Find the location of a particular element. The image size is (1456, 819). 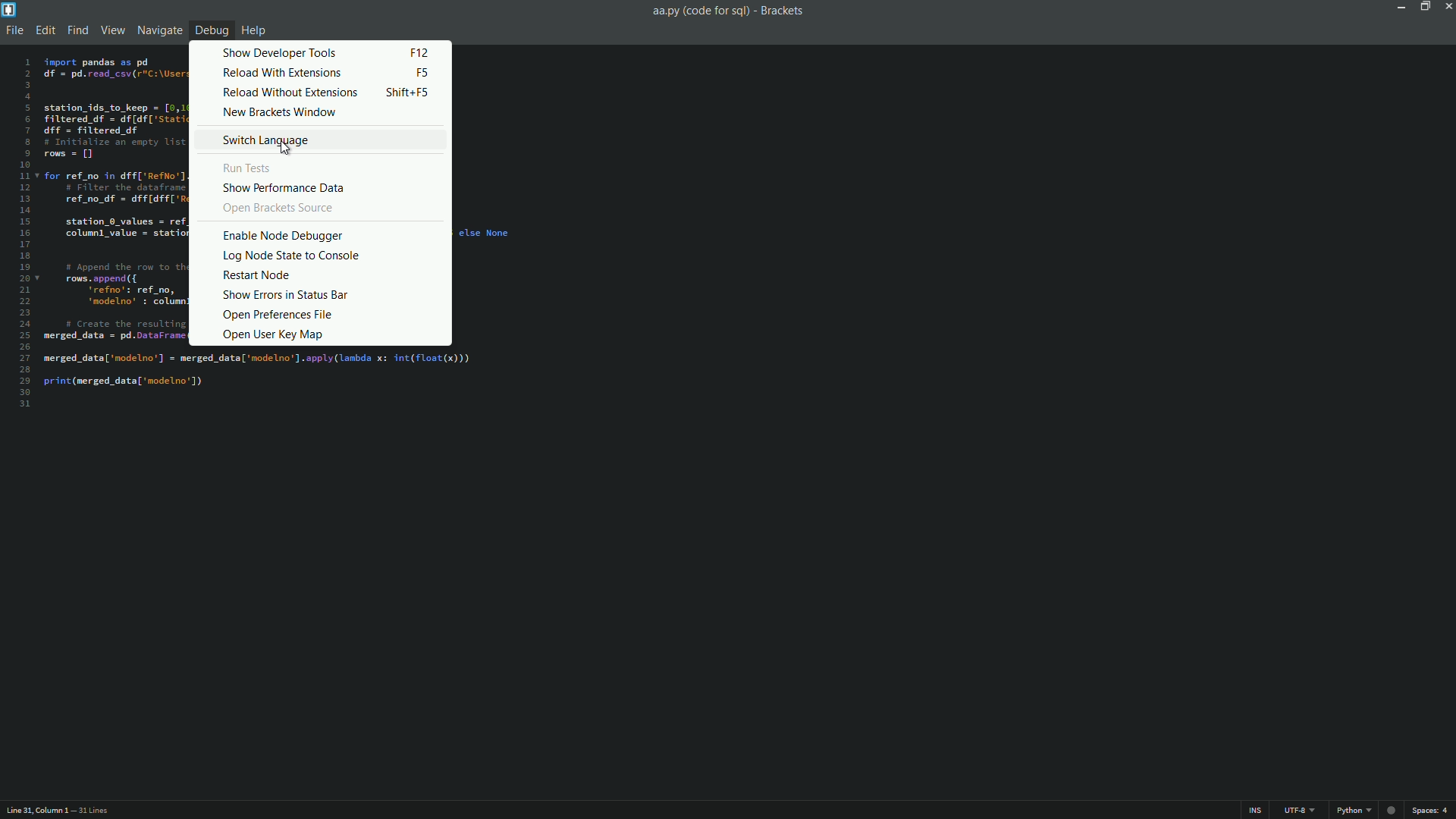

enable node debugger is located at coordinates (284, 237).